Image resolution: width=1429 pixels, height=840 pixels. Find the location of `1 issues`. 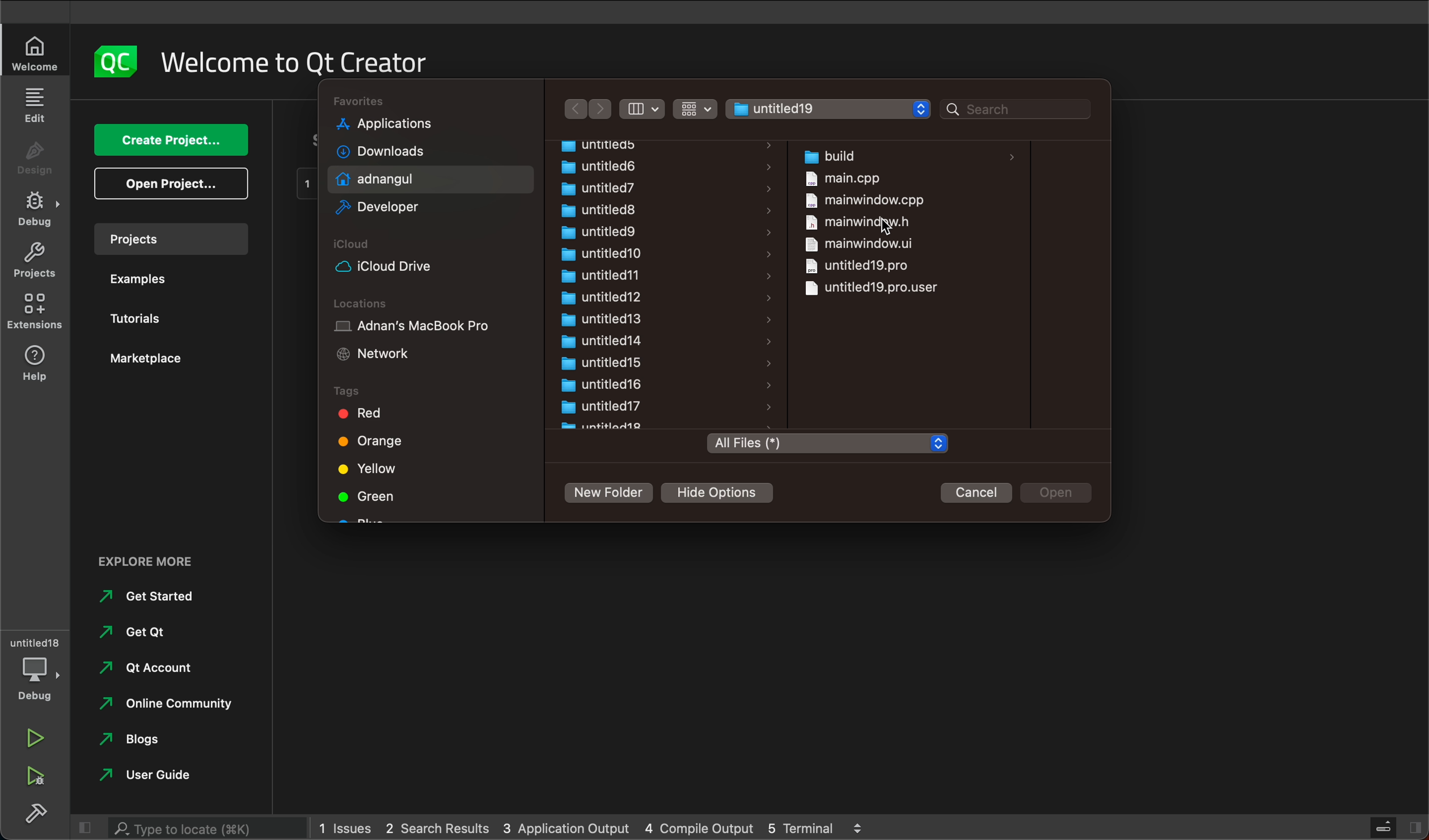

1 issues is located at coordinates (349, 828).